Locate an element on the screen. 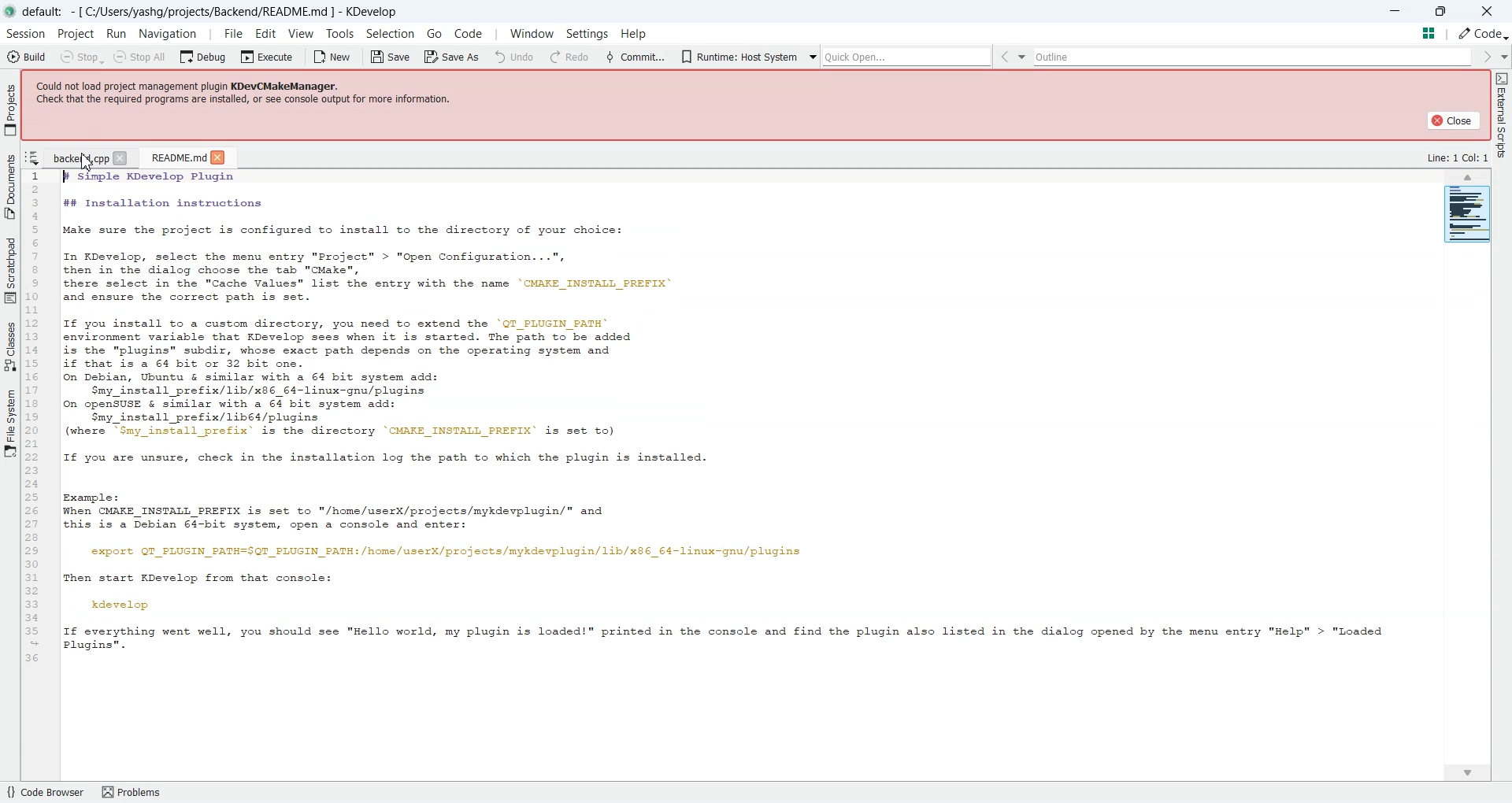 The height and width of the screenshot is (803, 1512). README.md is located at coordinates (176, 157).